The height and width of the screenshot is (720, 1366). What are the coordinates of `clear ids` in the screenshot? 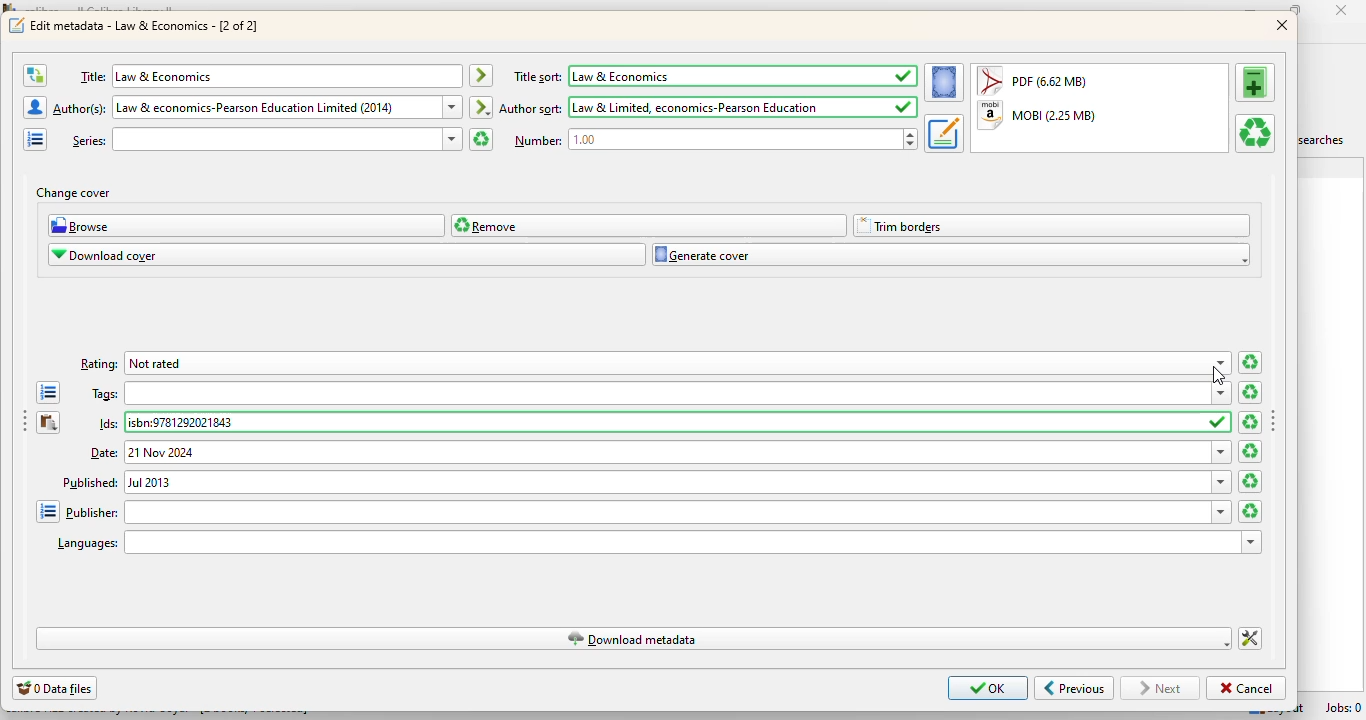 It's located at (1249, 423).